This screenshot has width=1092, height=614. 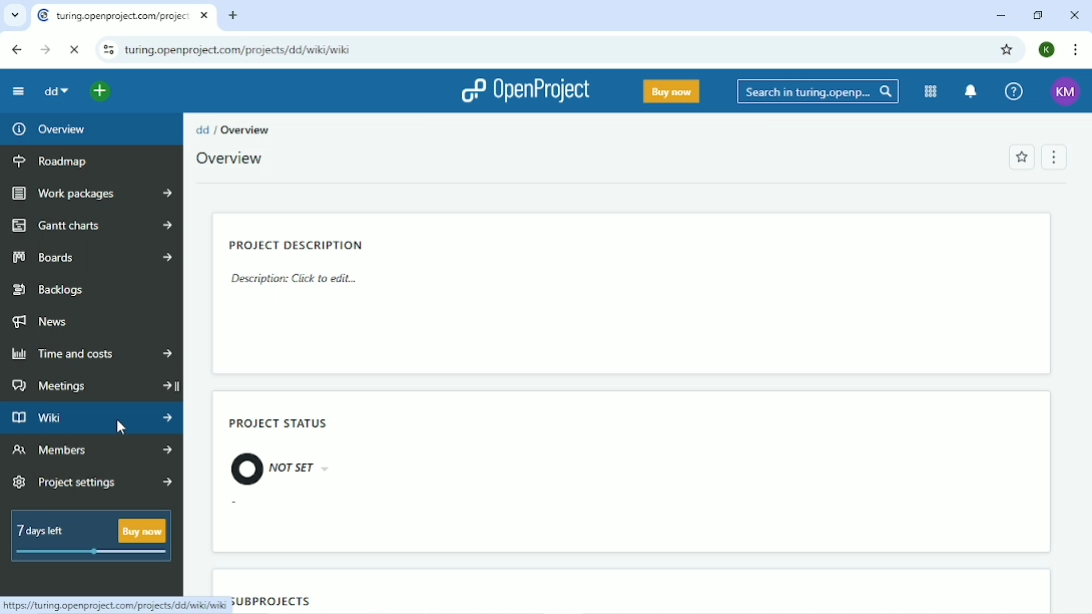 What do you see at coordinates (240, 53) in the screenshot?
I see `Site` at bounding box center [240, 53].